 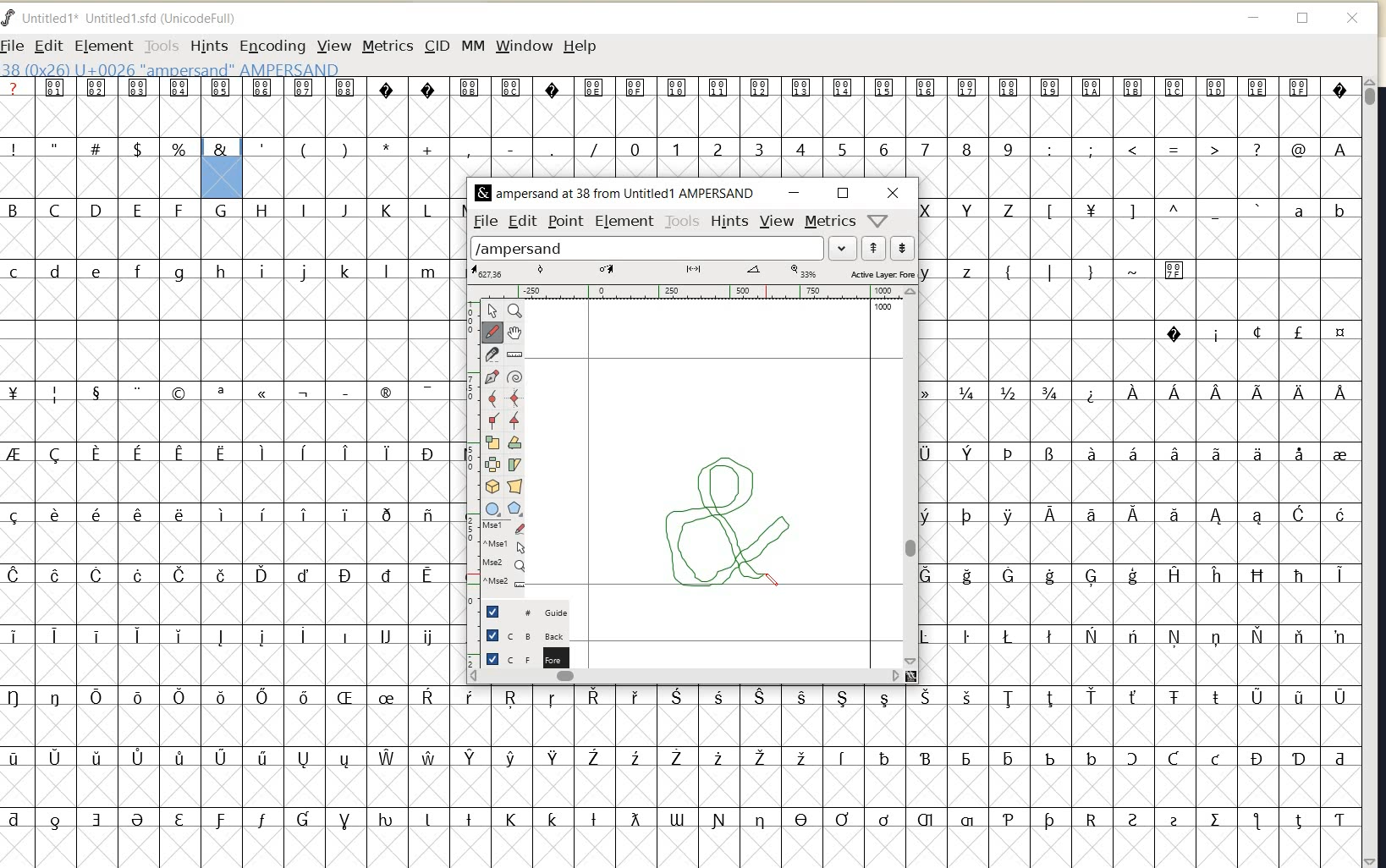 I want to click on ELEMENT, so click(x=624, y=222).